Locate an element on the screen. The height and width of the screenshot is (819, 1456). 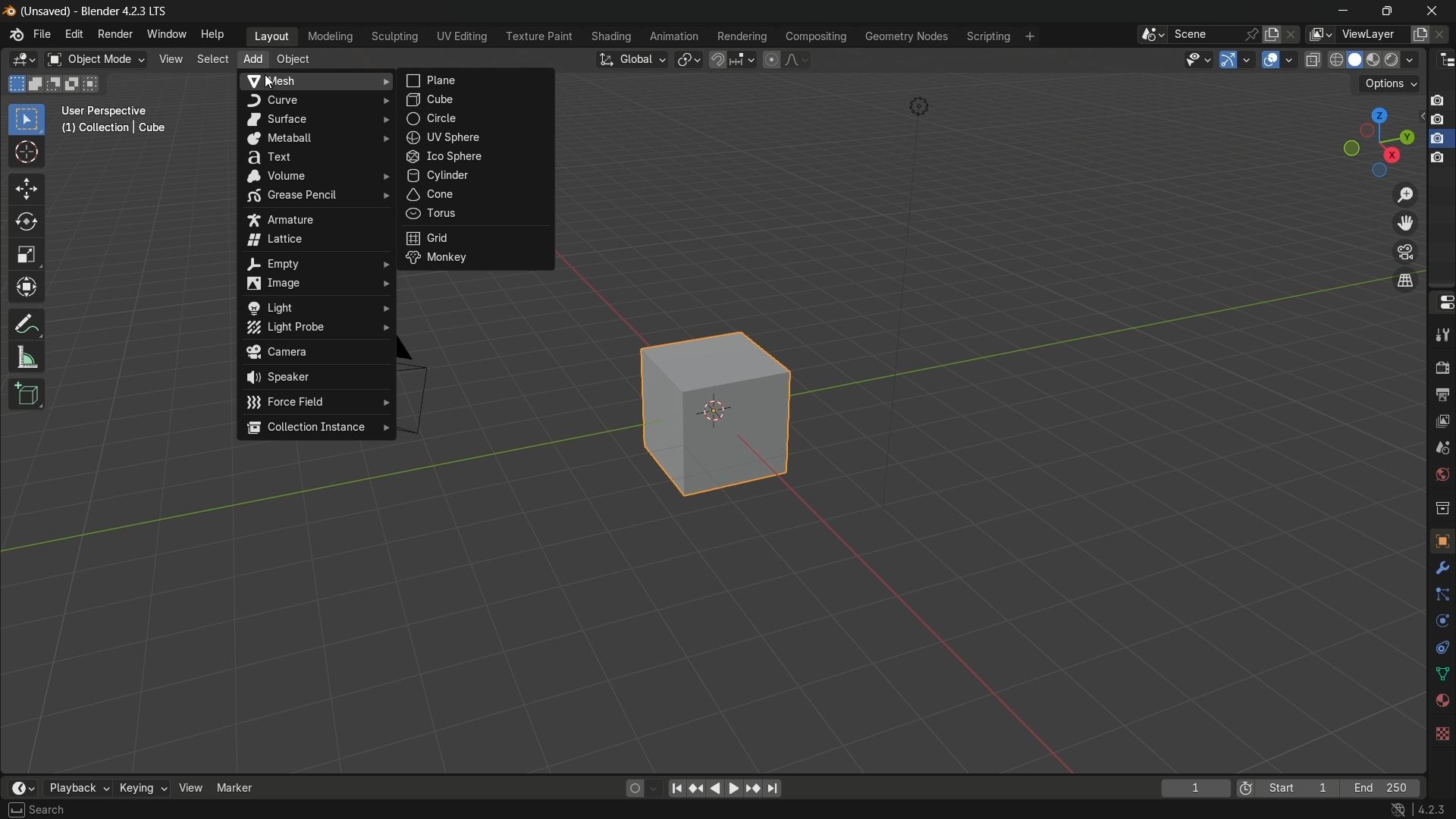
wireframe is located at coordinates (1336, 59).